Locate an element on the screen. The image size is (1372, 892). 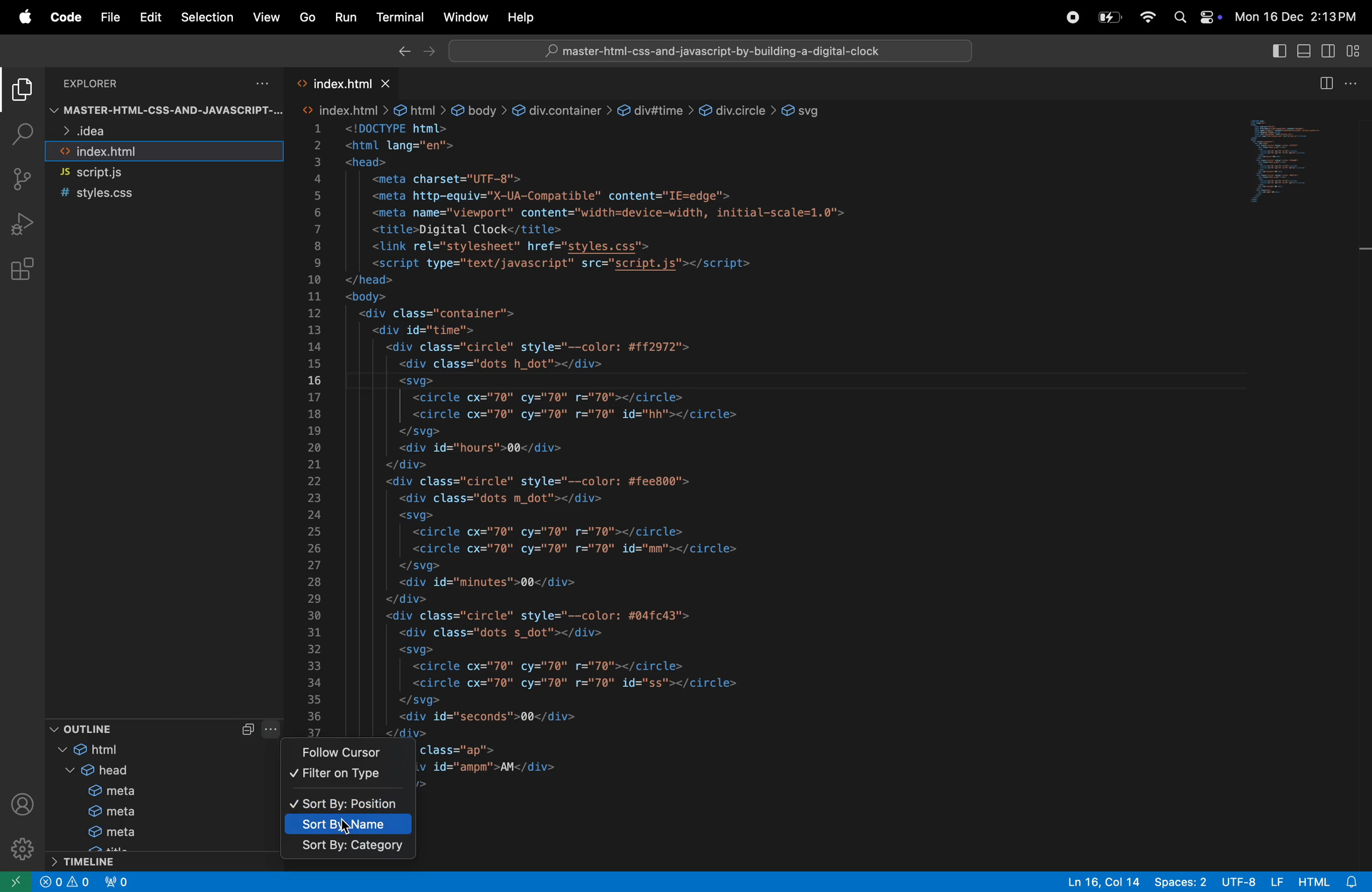
Run is located at coordinates (345, 17).